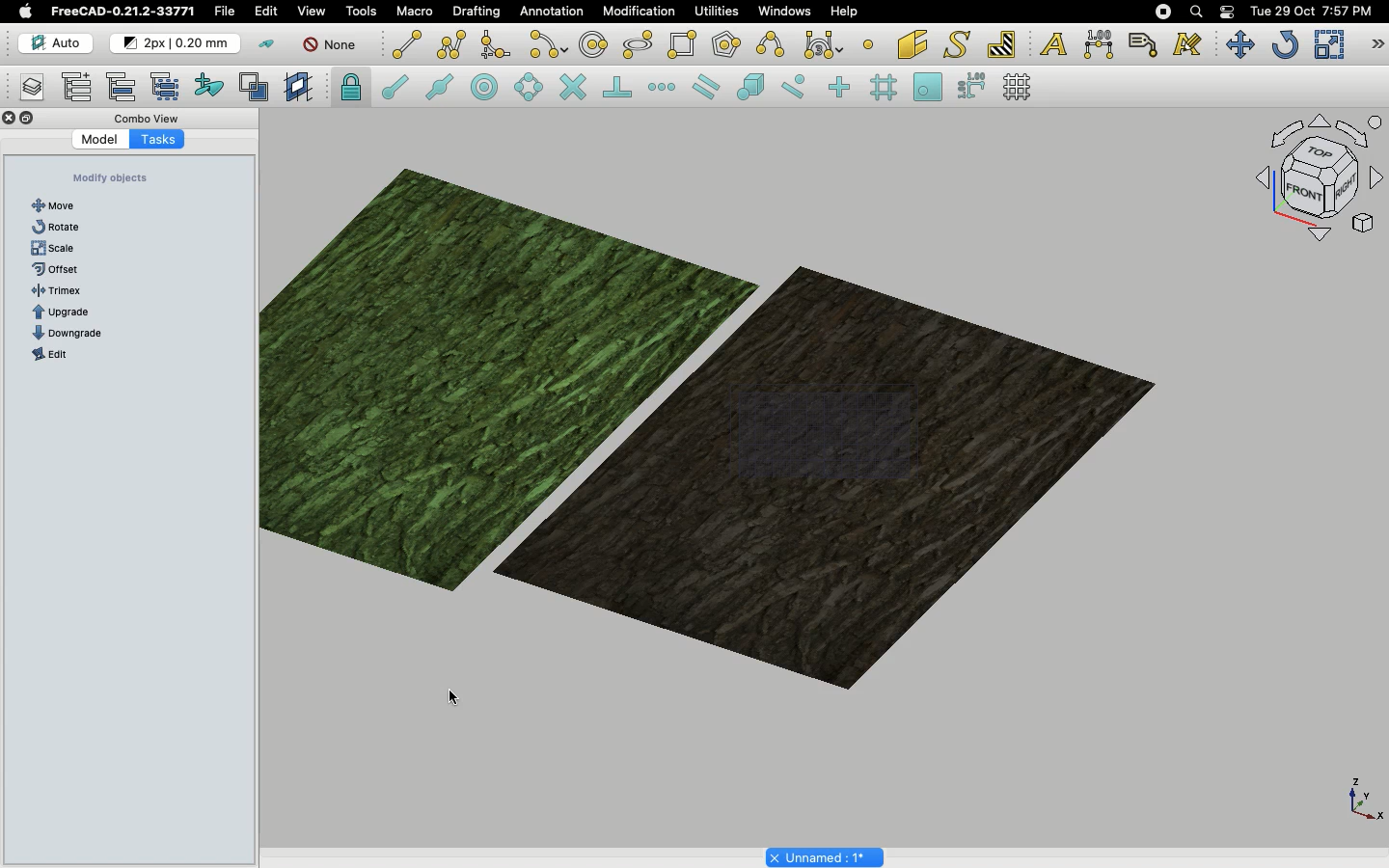  What do you see at coordinates (827, 855) in the screenshot?
I see `Project name` at bounding box center [827, 855].